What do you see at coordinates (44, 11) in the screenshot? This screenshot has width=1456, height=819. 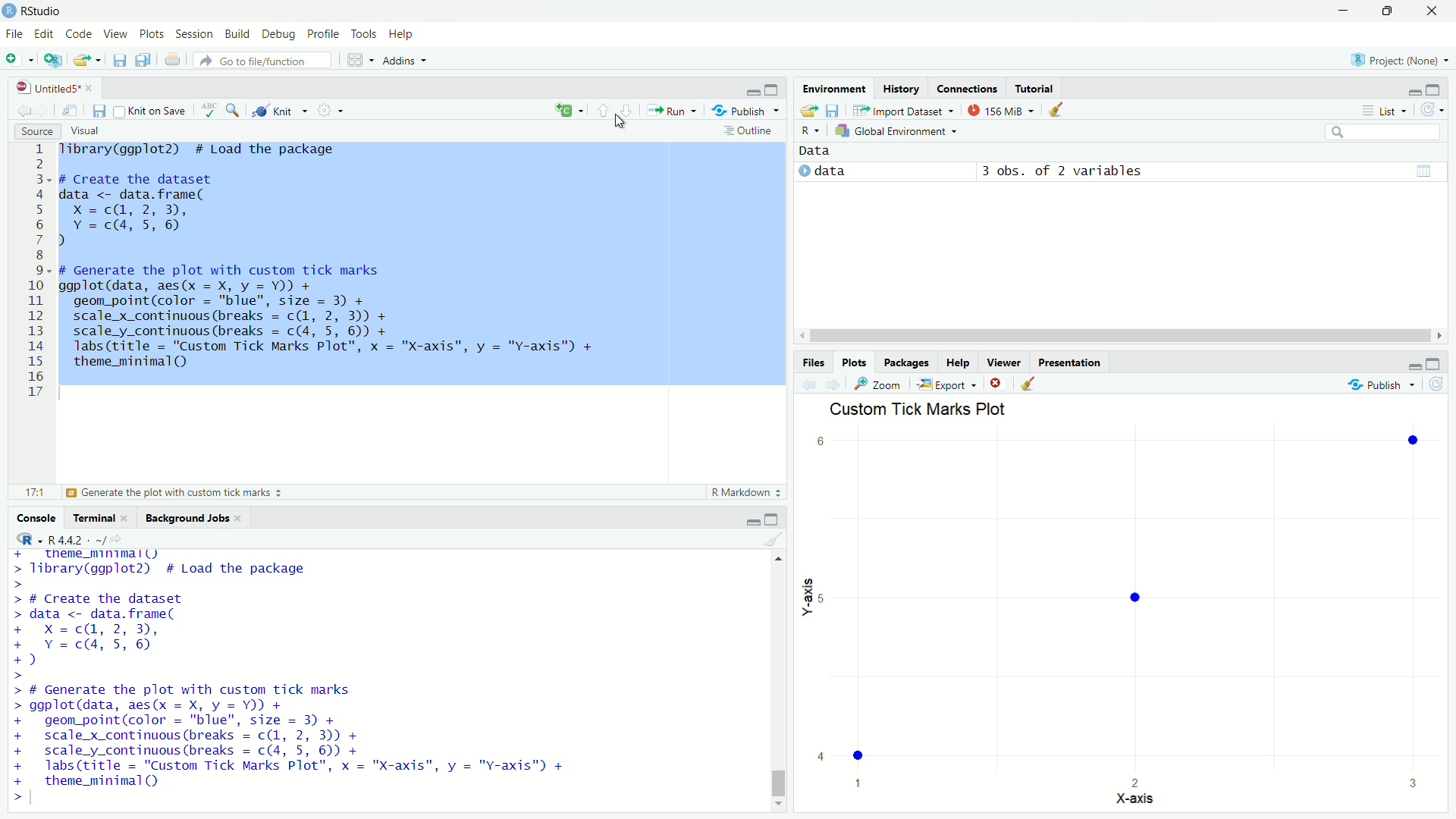 I see `RStudio` at bounding box center [44, 11].